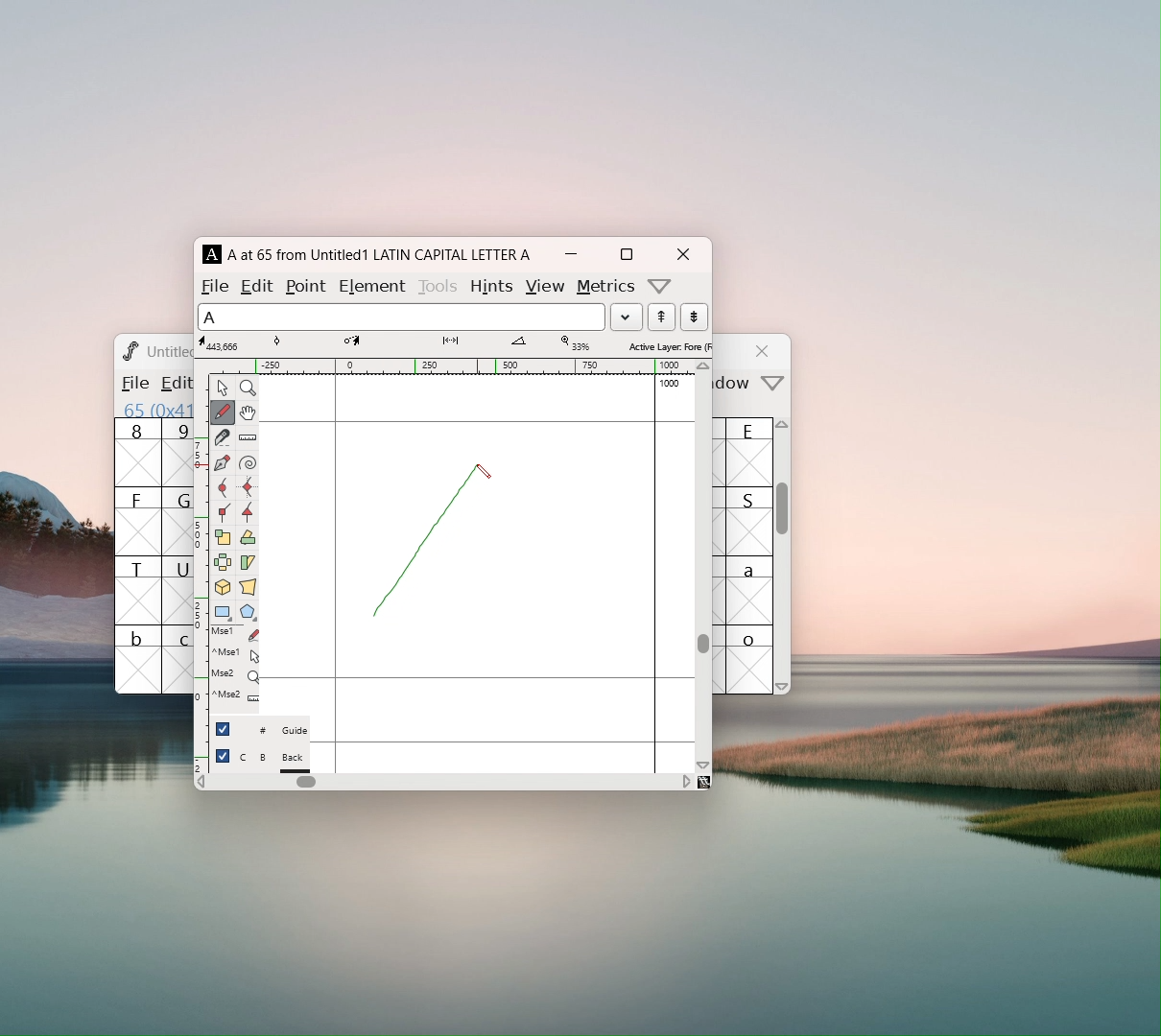 Image resolution: width=1161 pixels, height=1036 pixels. Describe the element at coordinates (235, 695) in the screenshot. I see `^Mse2` at that location.